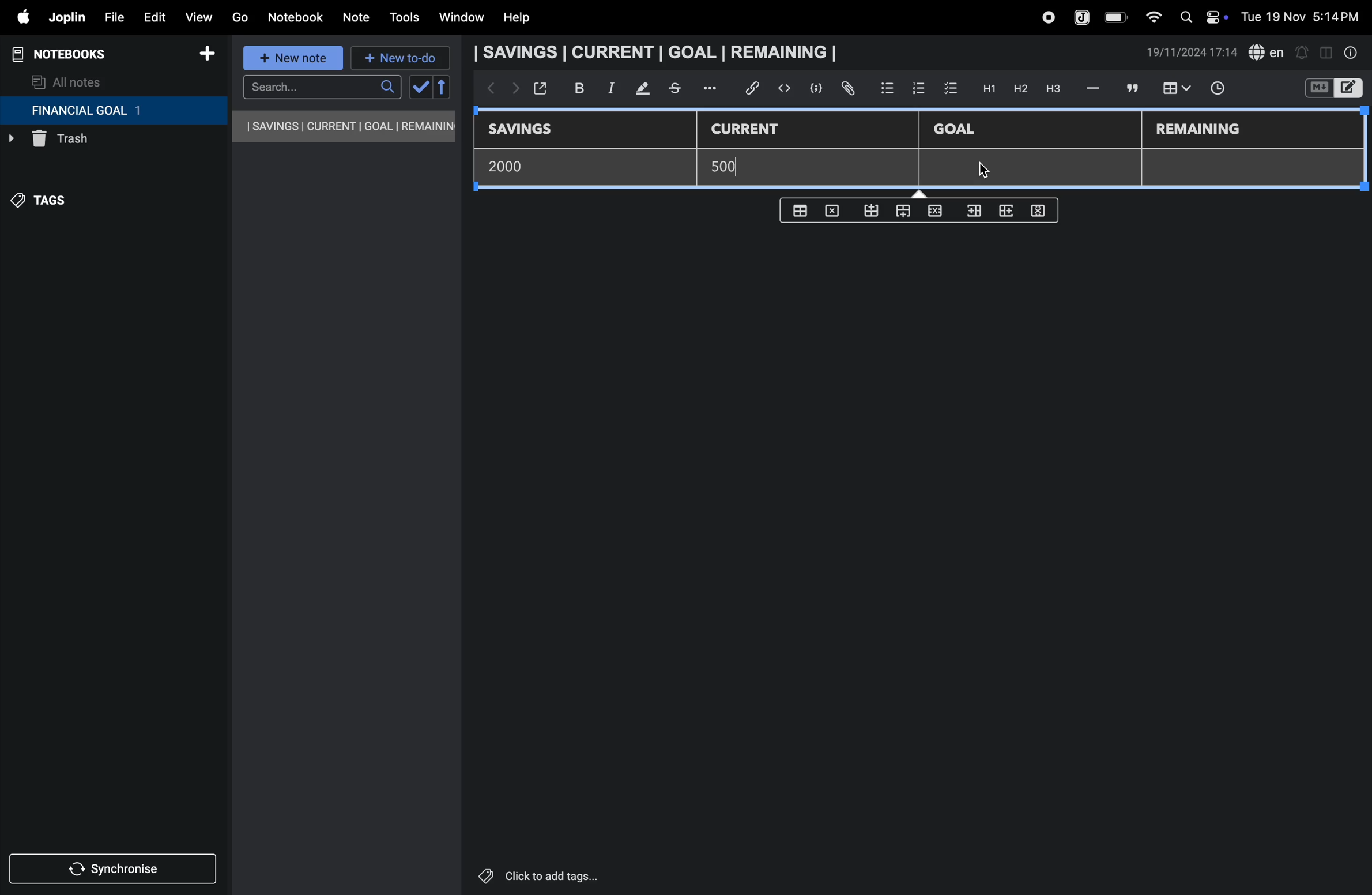  I want to click on add, so click(207, 55).